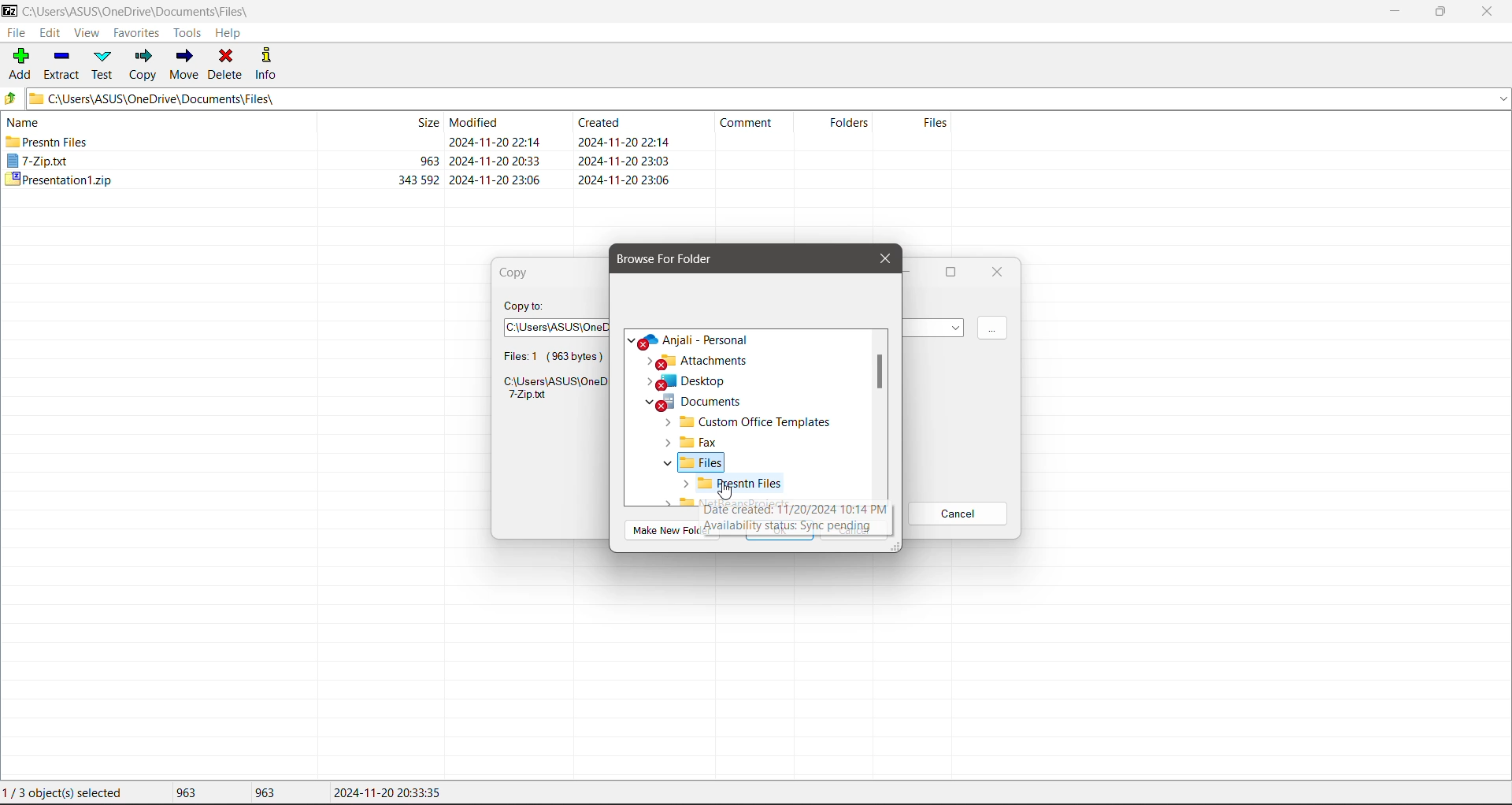  I want to click on Minimize, so click(1393, 11).